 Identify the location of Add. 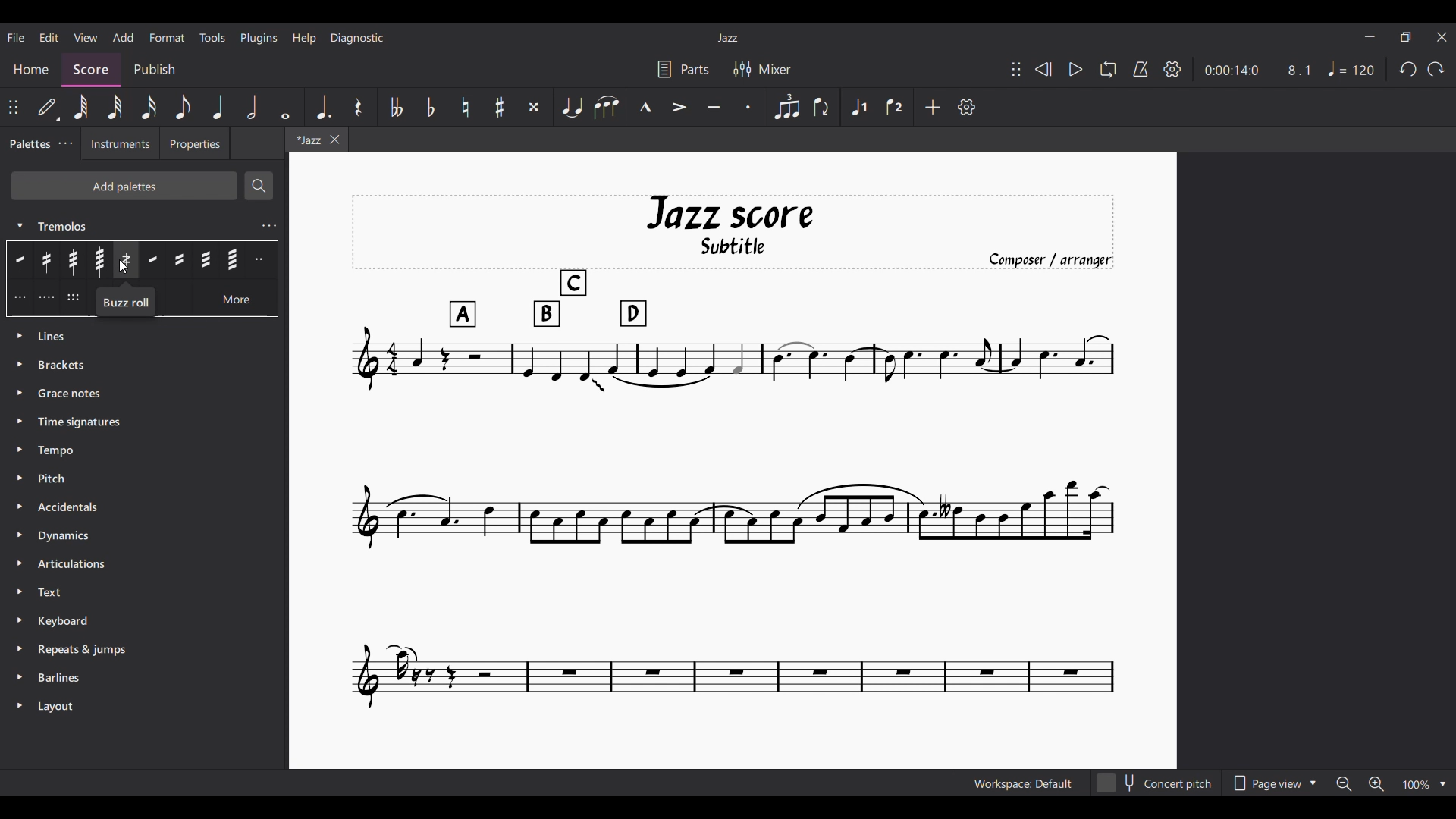
(934, 107).